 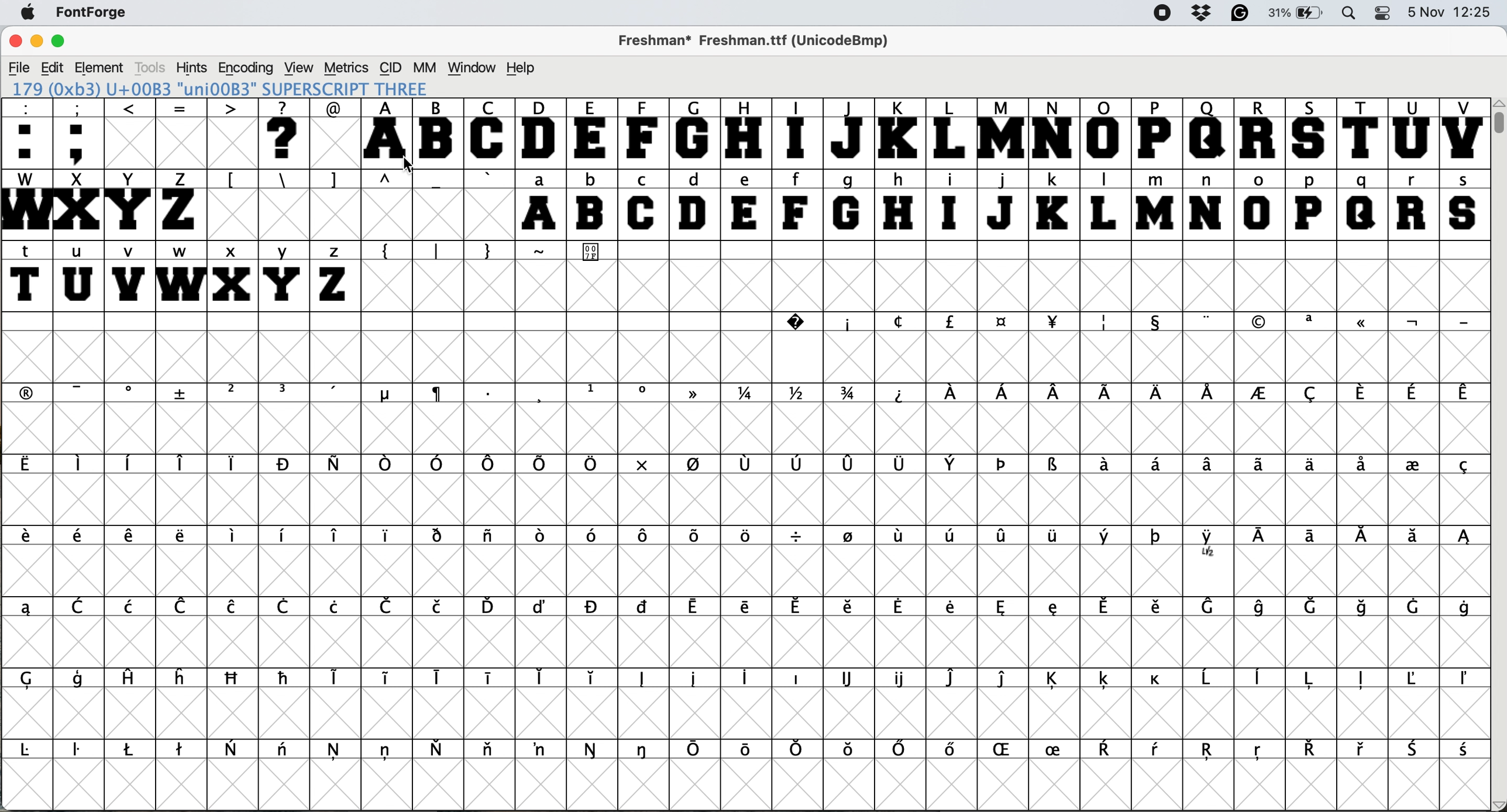 What do you see at coordinates (440, 132) in the screenshot?
I see `B` at bounding box center [440, 132].